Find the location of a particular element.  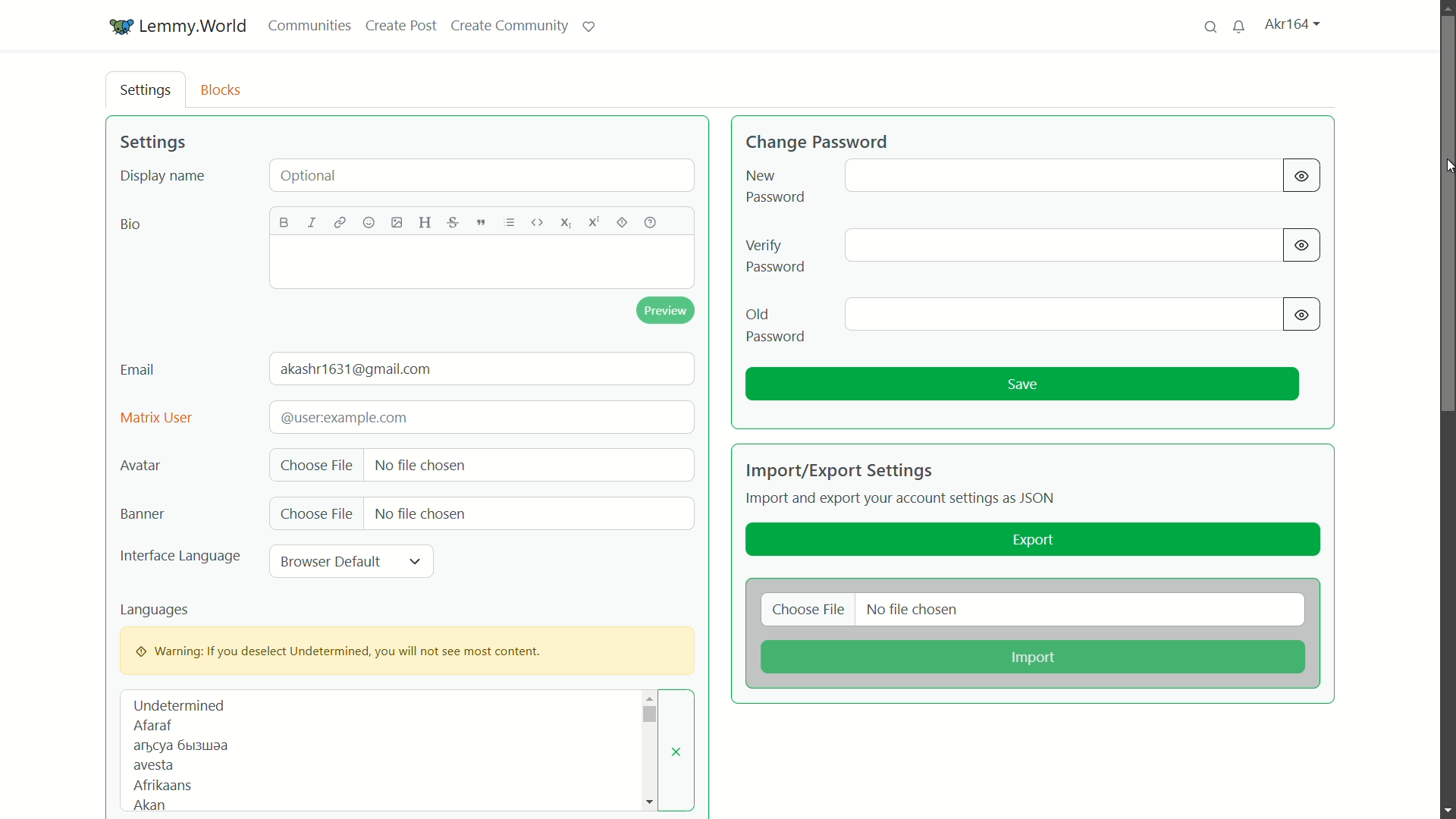

formatting help is located at coordinates (651, 222).